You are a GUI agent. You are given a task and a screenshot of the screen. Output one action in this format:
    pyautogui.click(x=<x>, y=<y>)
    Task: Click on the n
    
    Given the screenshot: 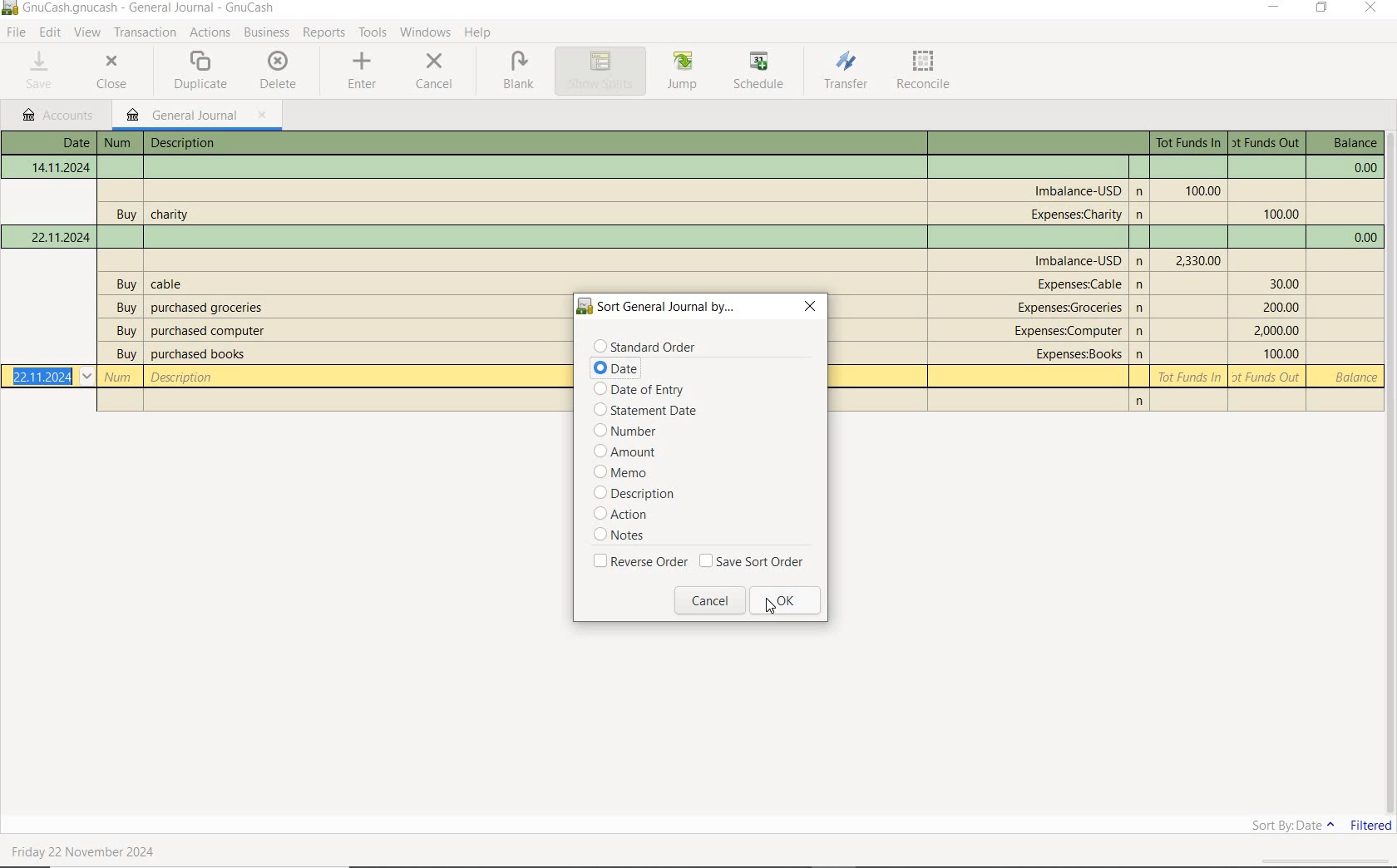 What is the action you would take?
    pyautogui.click(x=1142, y=330)
    